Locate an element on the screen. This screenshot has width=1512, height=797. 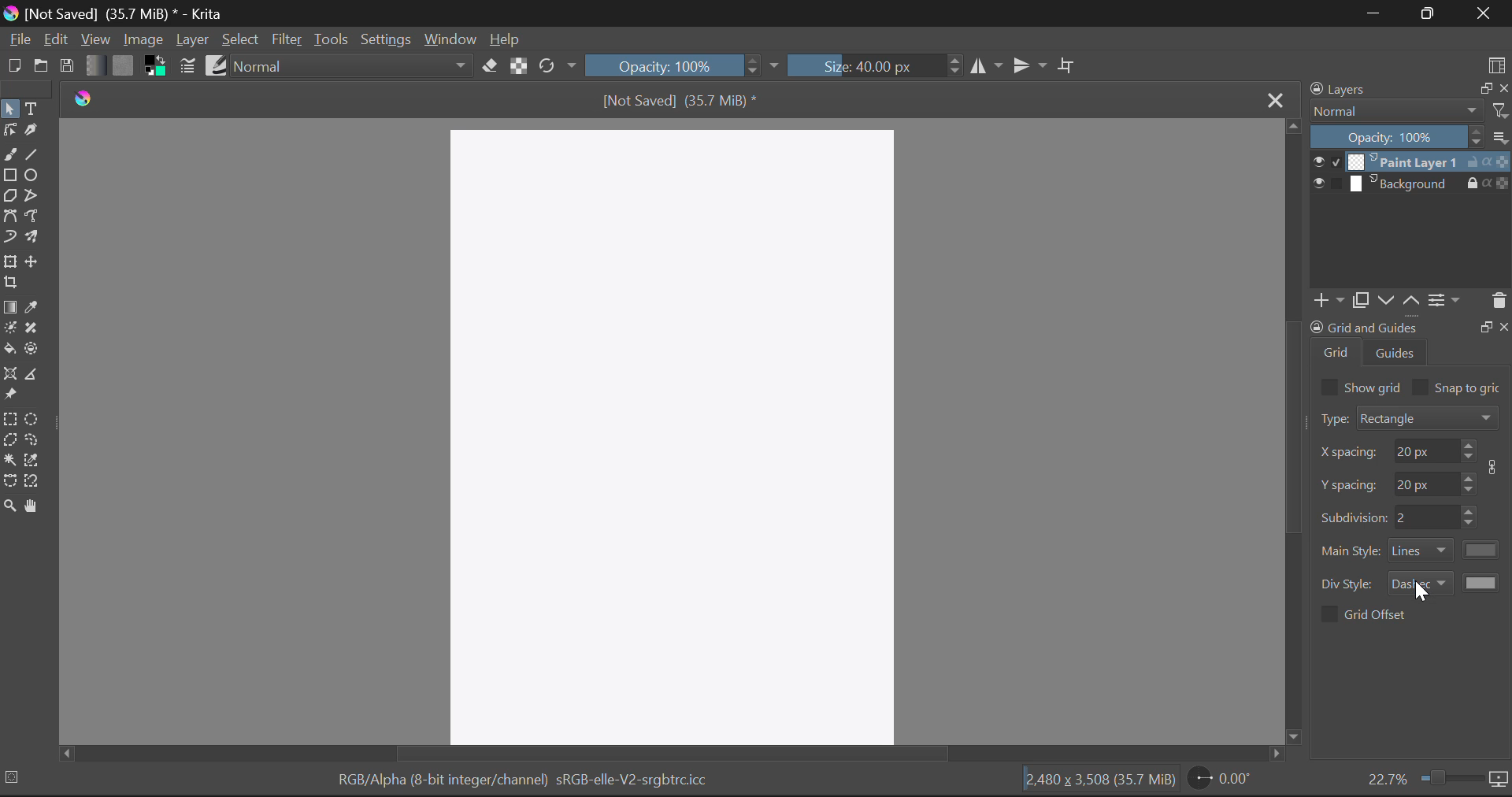
Opacity is located at coordinates (682, 65).